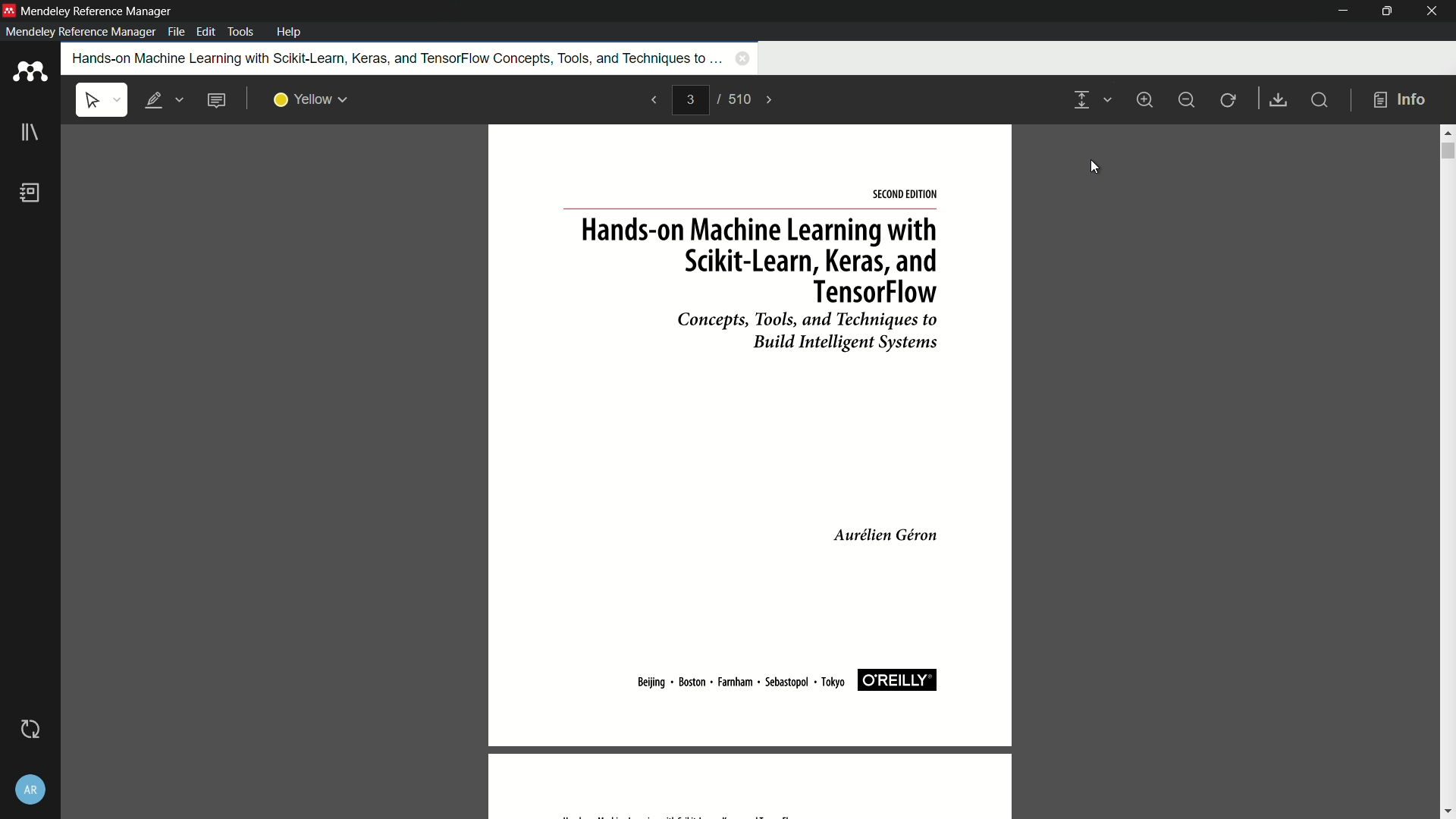 Image resolution: width=1456 pixels, height=819 pixels. What do you see at coordinates (1148, 100) in the screenshot?
I see `zoom in` at bounding box center [1148, 100].